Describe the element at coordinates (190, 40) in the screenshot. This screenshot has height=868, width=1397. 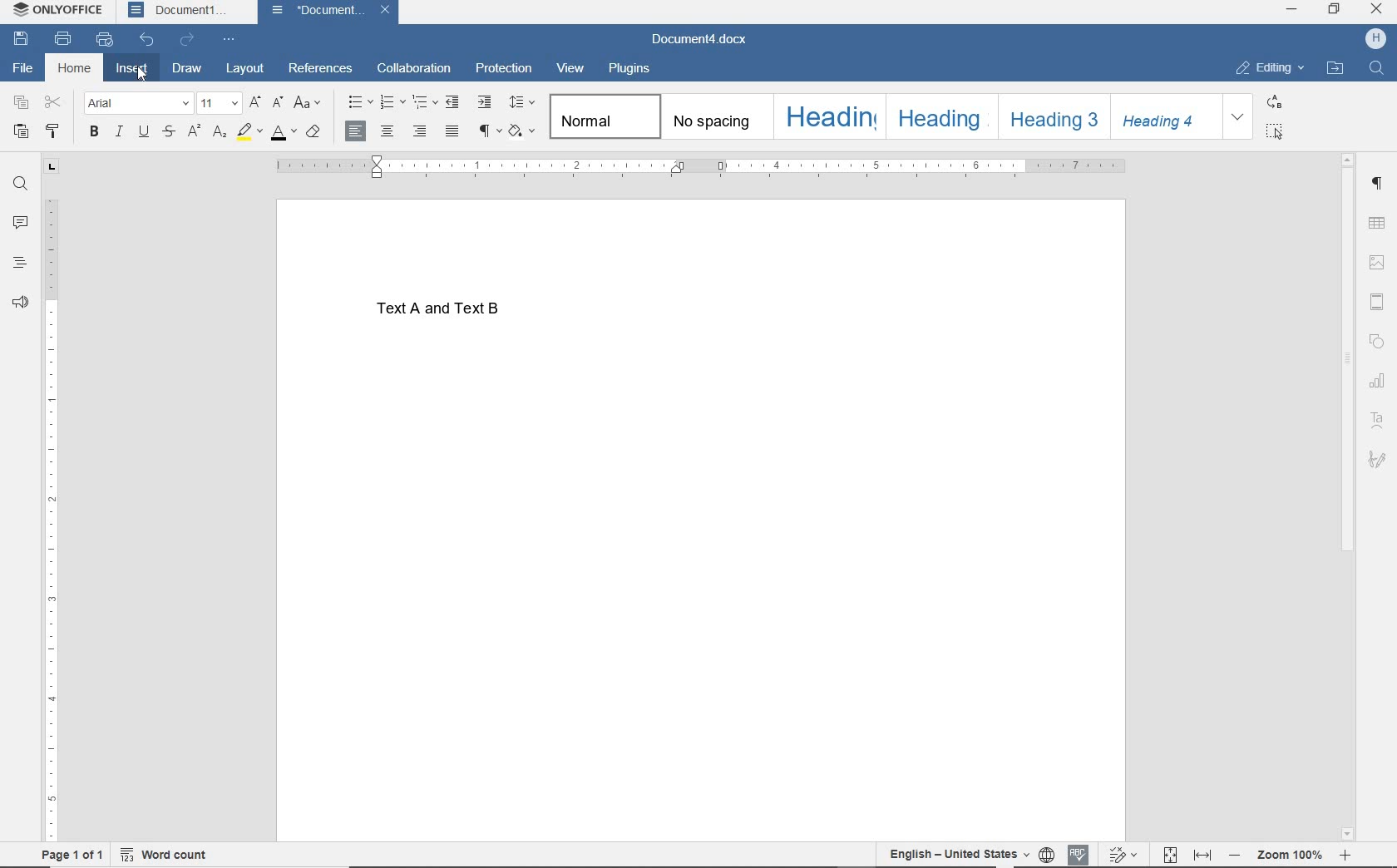
I see `REDO` at that location.